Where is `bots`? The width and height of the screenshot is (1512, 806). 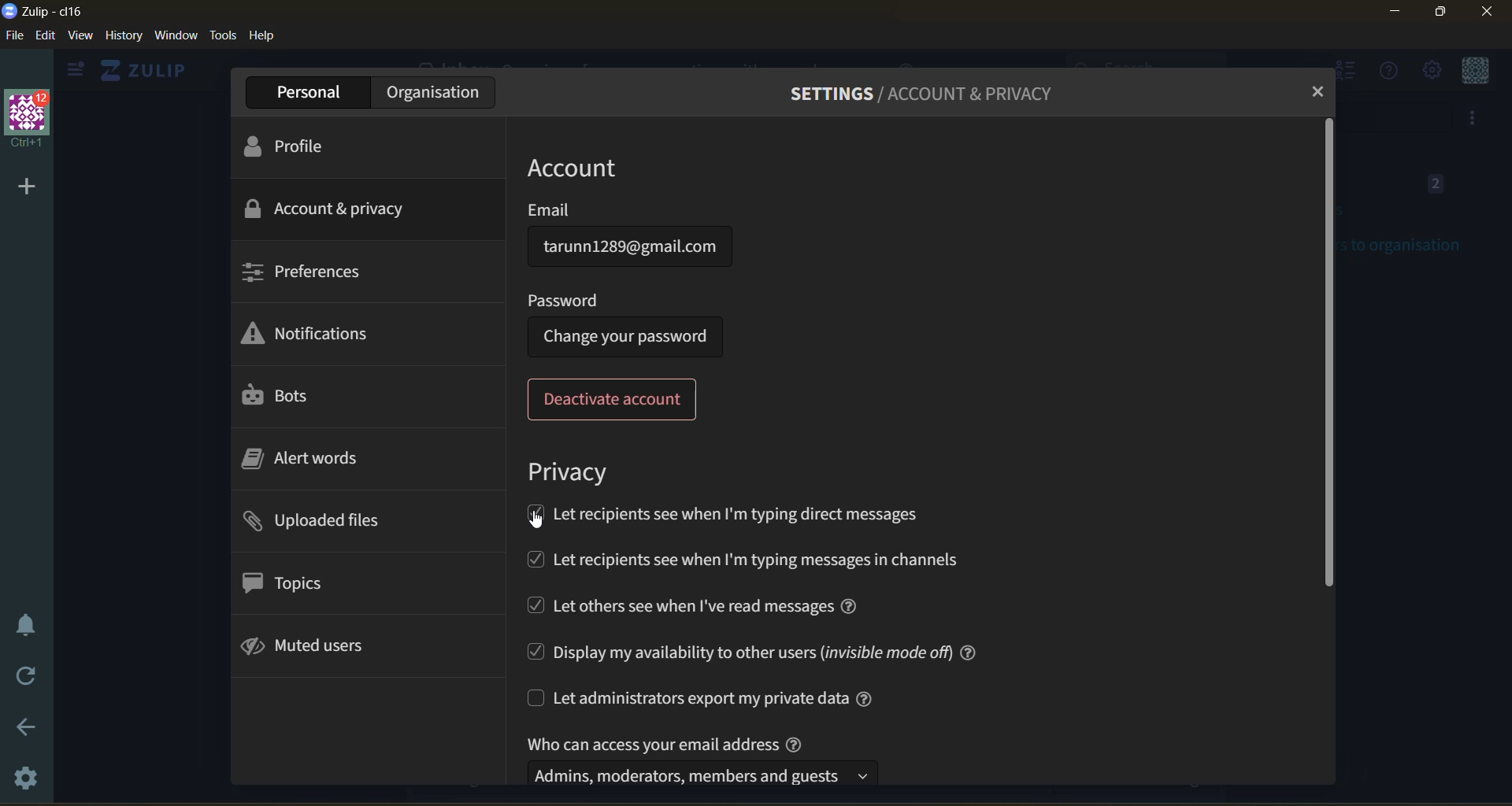 bots is located at coordinates (283, 397).